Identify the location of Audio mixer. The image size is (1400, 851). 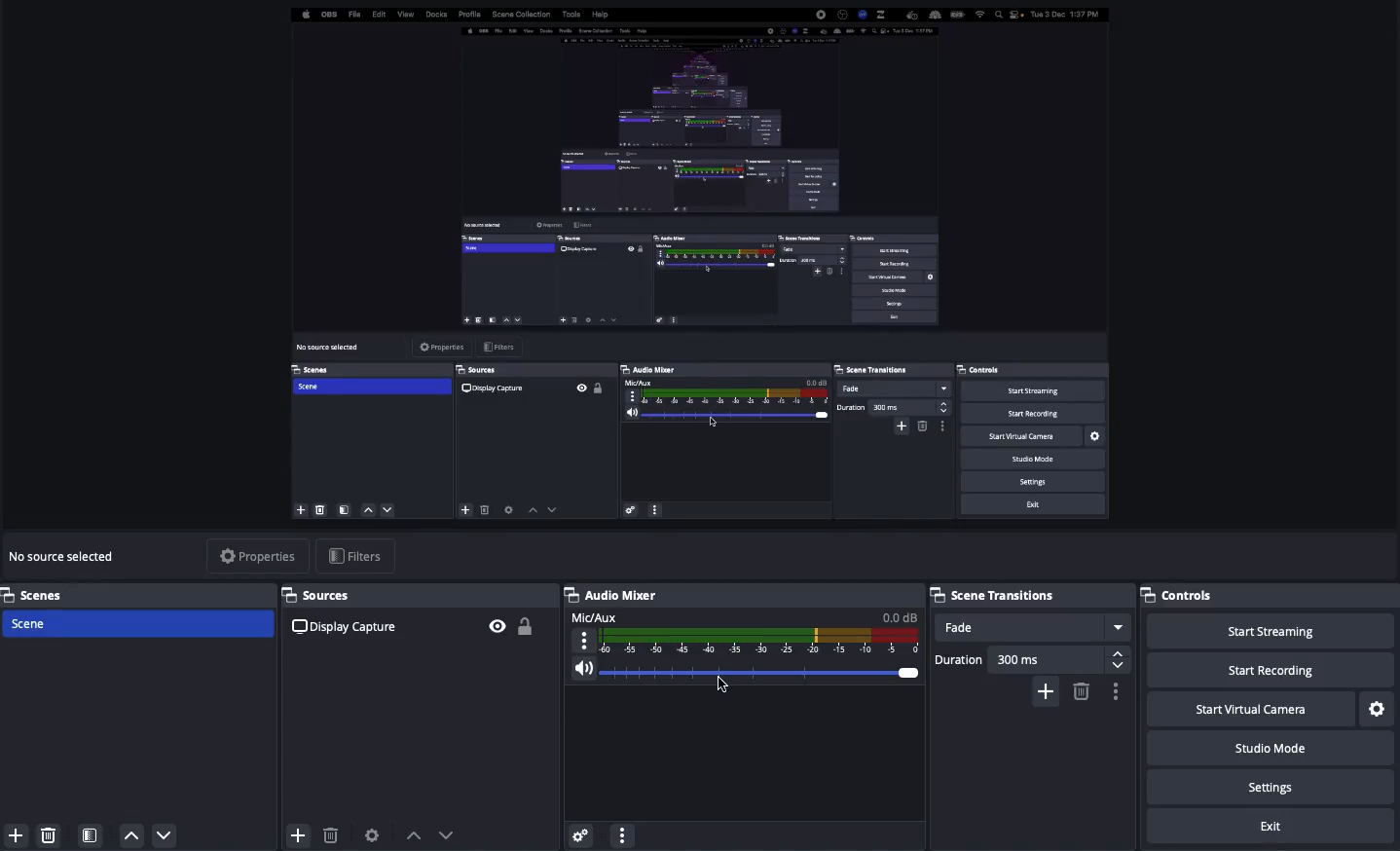
(617, 595).